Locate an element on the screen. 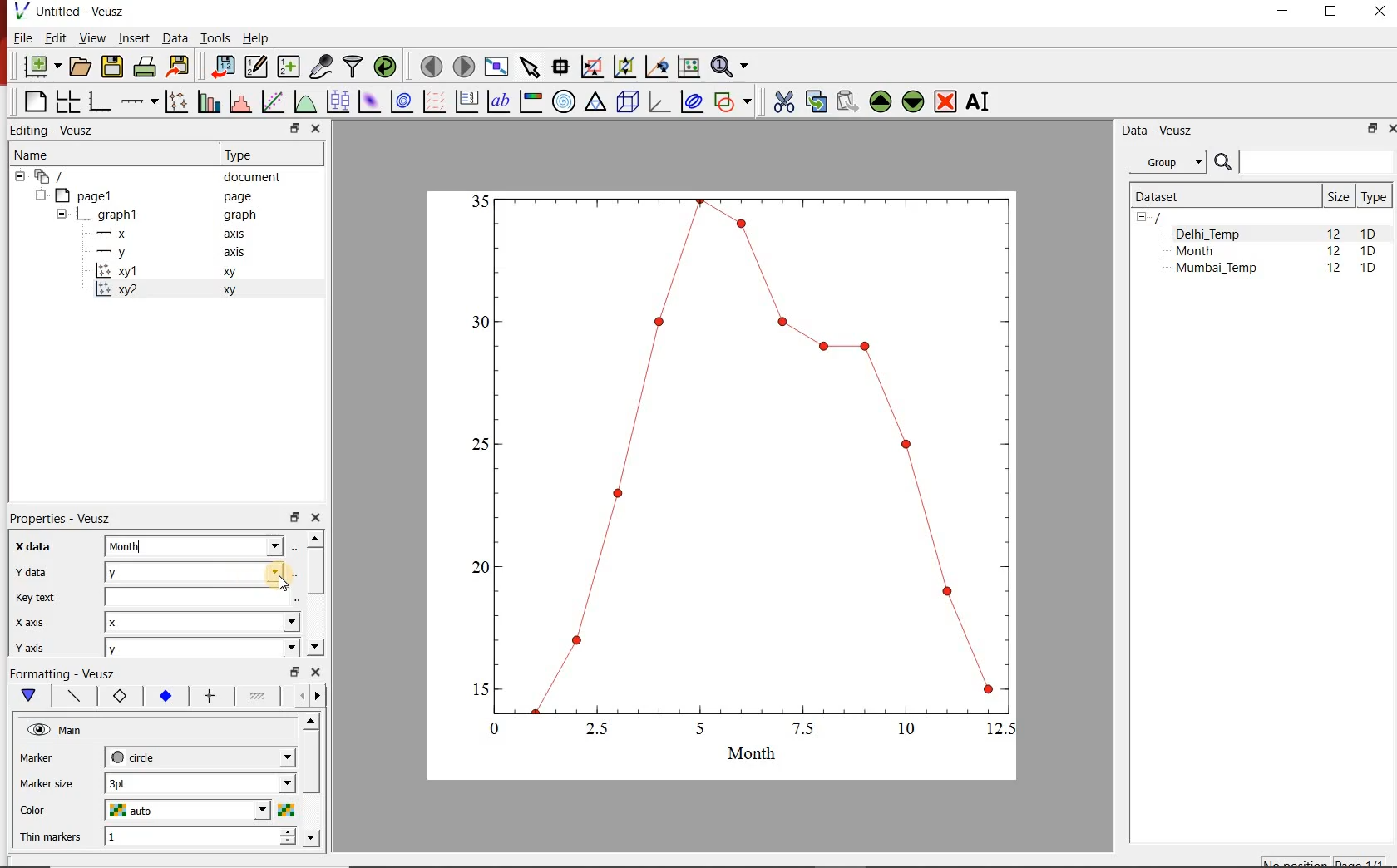 The width and height of the screenshot is (1397, 868). 3d graph is located at coordinates (657, 101).